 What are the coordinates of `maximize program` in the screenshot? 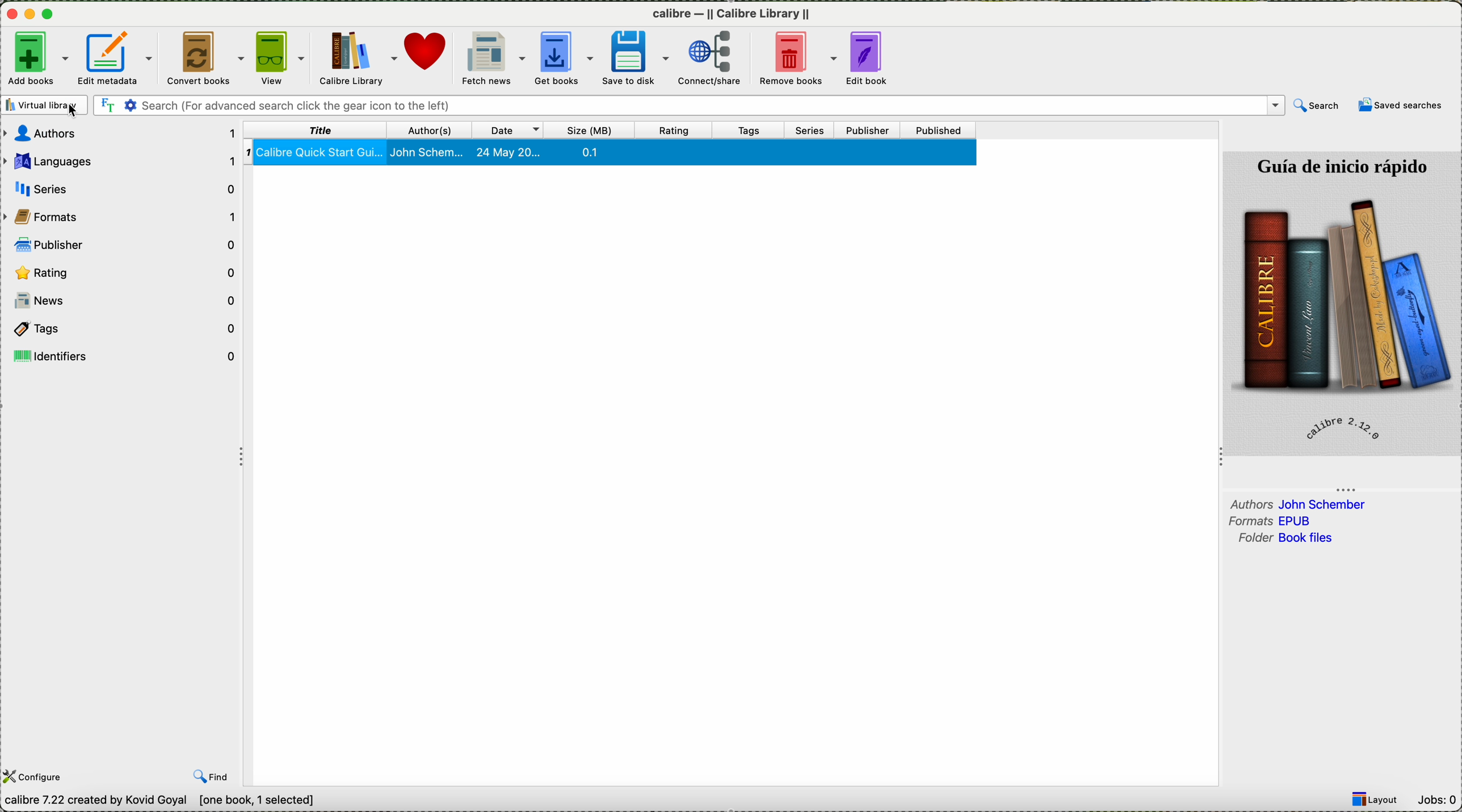 It's located at (51, 16).